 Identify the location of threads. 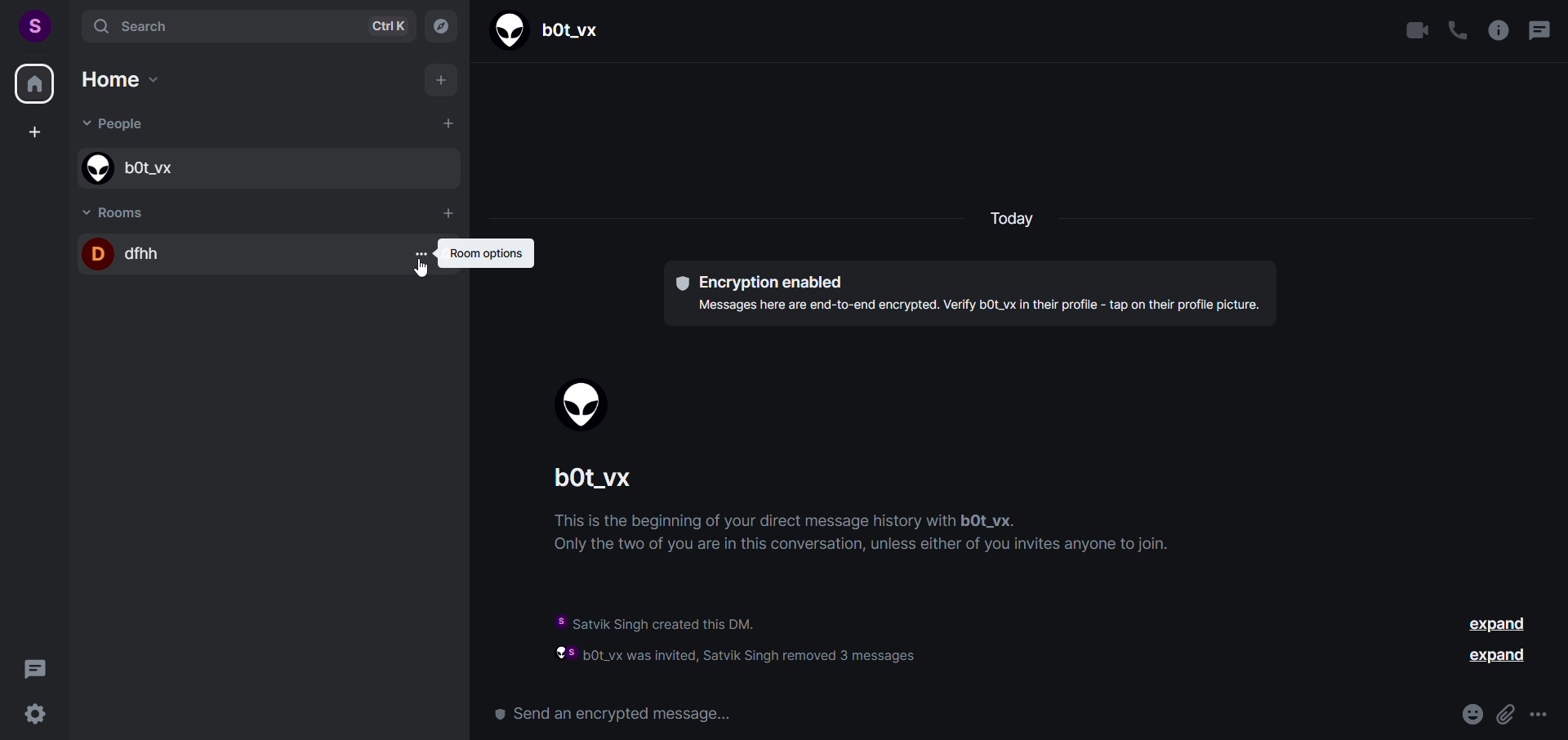
(1538, 33).